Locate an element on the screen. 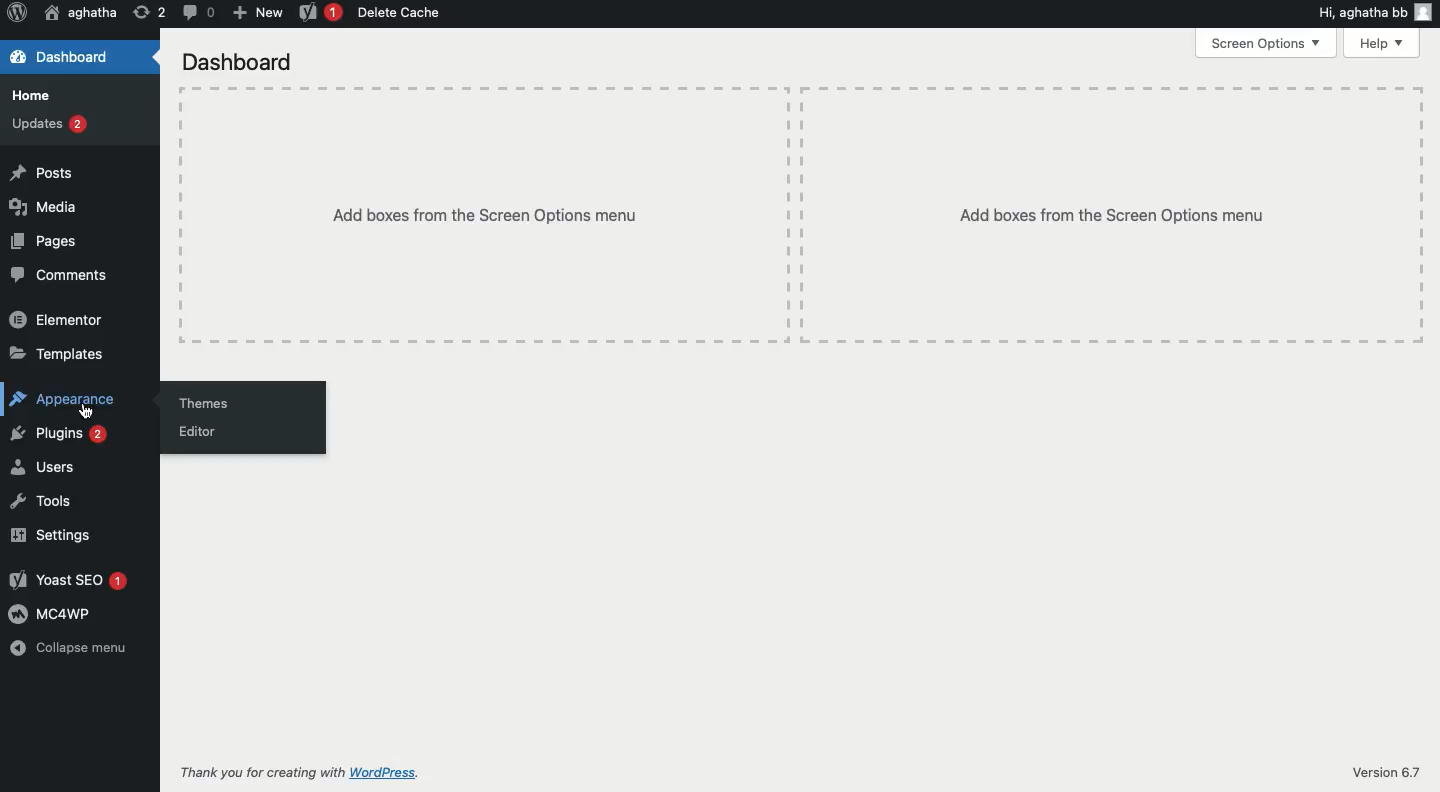  Add boxes from the screen options menu is located at coordinates (483, 214).